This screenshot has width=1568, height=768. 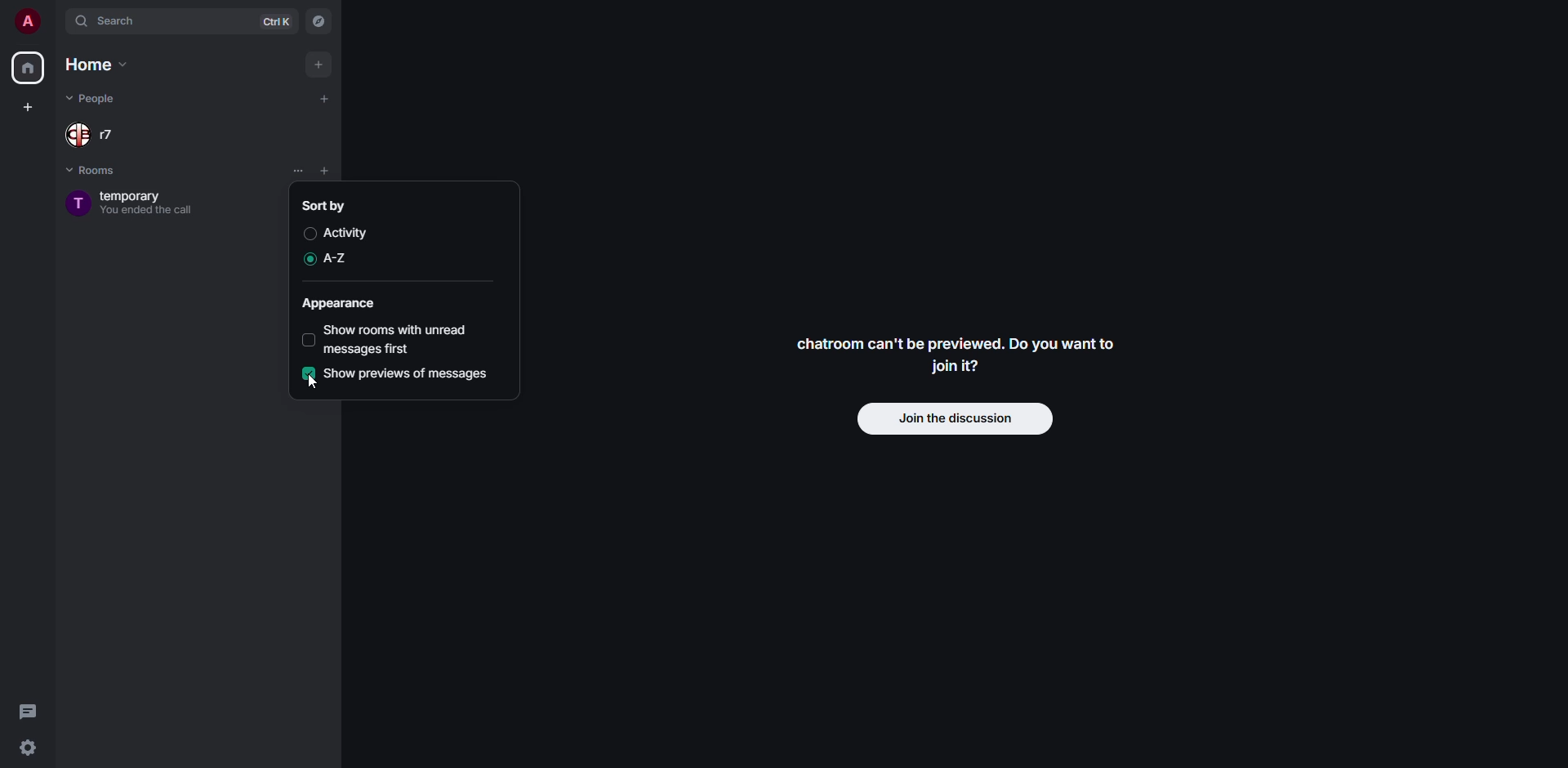 I want to click on add, so click(x=318, y=63).